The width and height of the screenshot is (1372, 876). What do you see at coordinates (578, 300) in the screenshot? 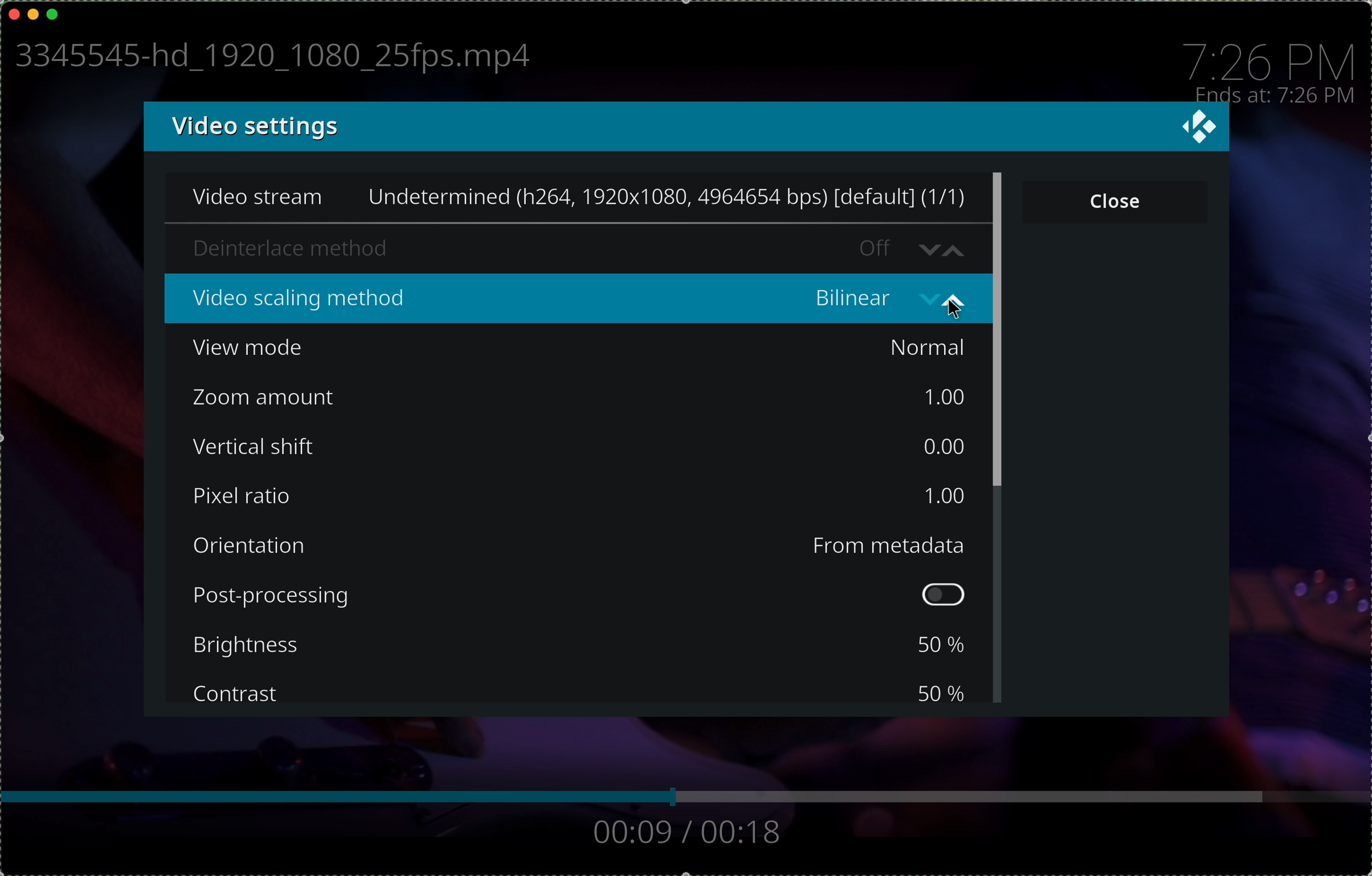
I see `click on video scaling method` at bounding box center [578, 300].